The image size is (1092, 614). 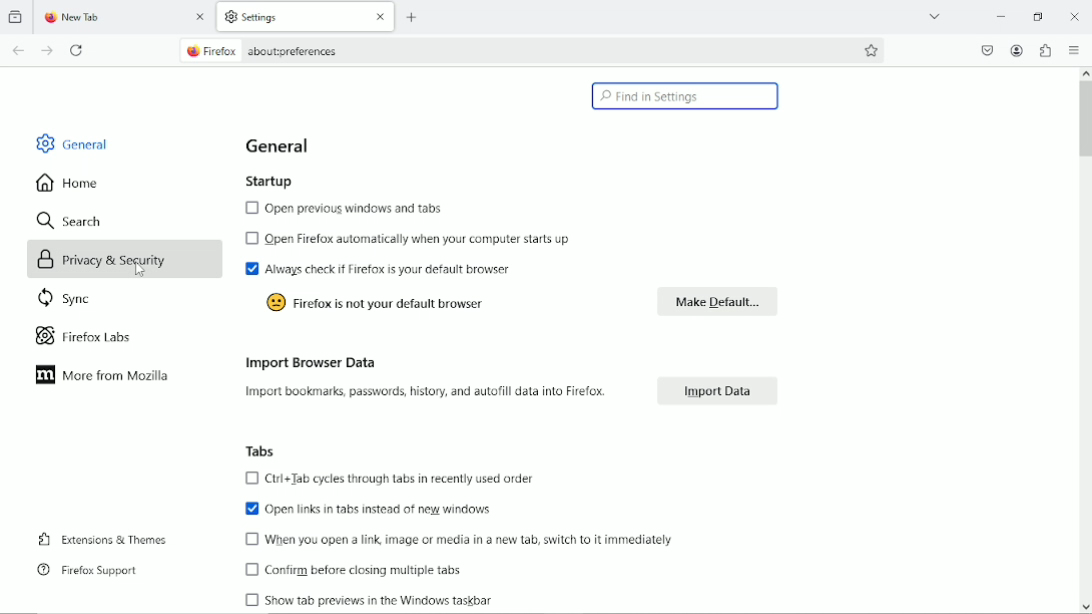 I want to click on import browser data, so click(x=315, y=360).